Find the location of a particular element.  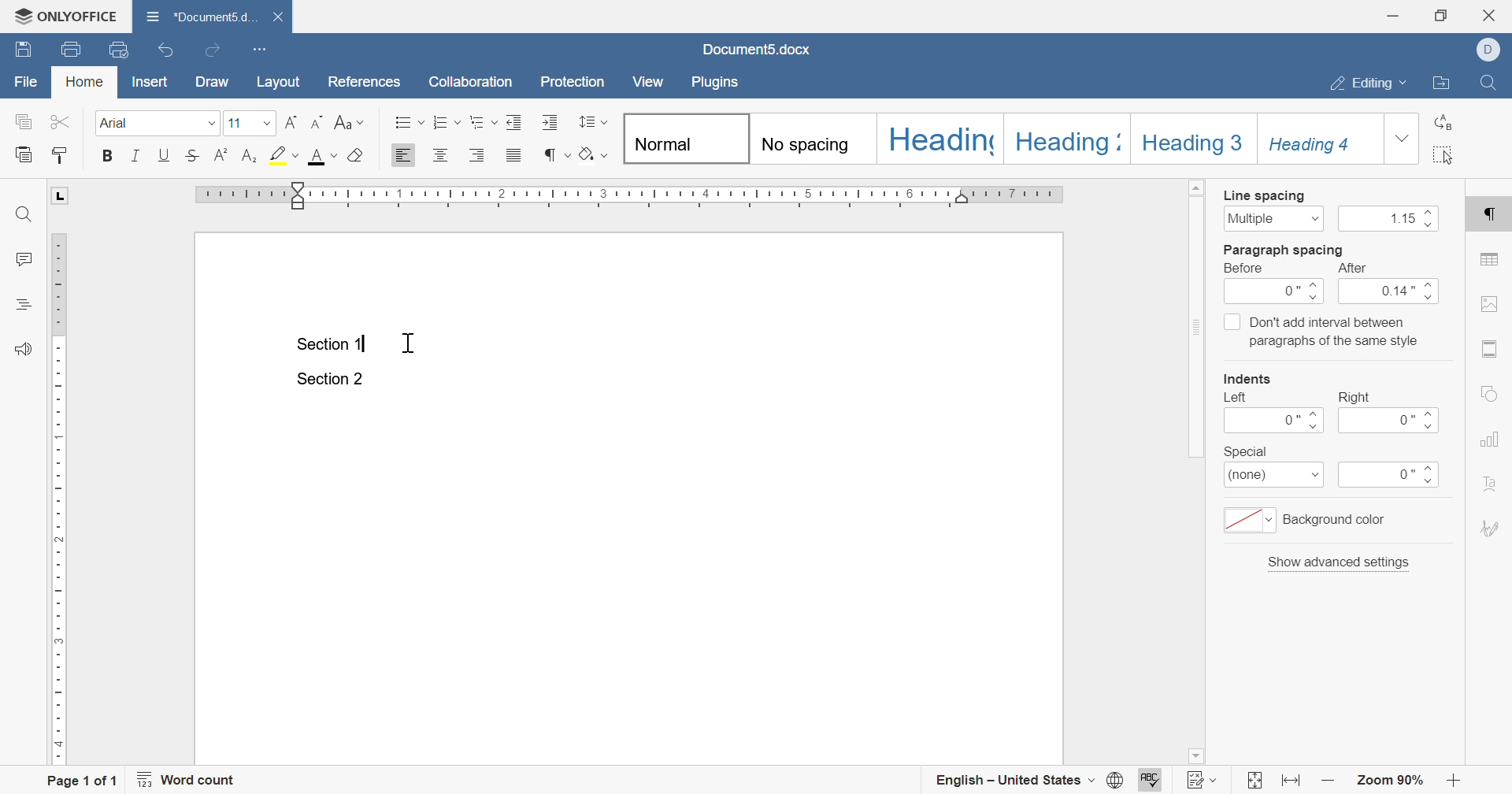

ONLYOFFICE is located at coordinates (65, 17).